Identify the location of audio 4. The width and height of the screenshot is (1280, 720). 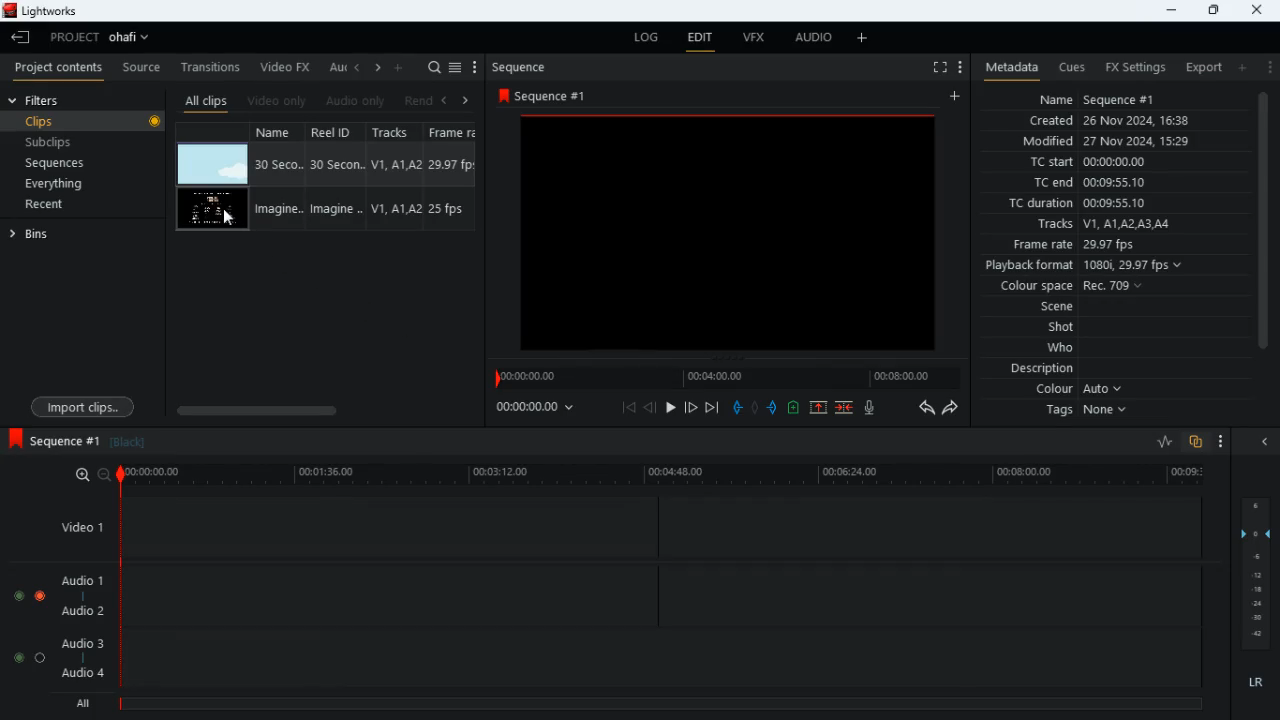
(81, 676).